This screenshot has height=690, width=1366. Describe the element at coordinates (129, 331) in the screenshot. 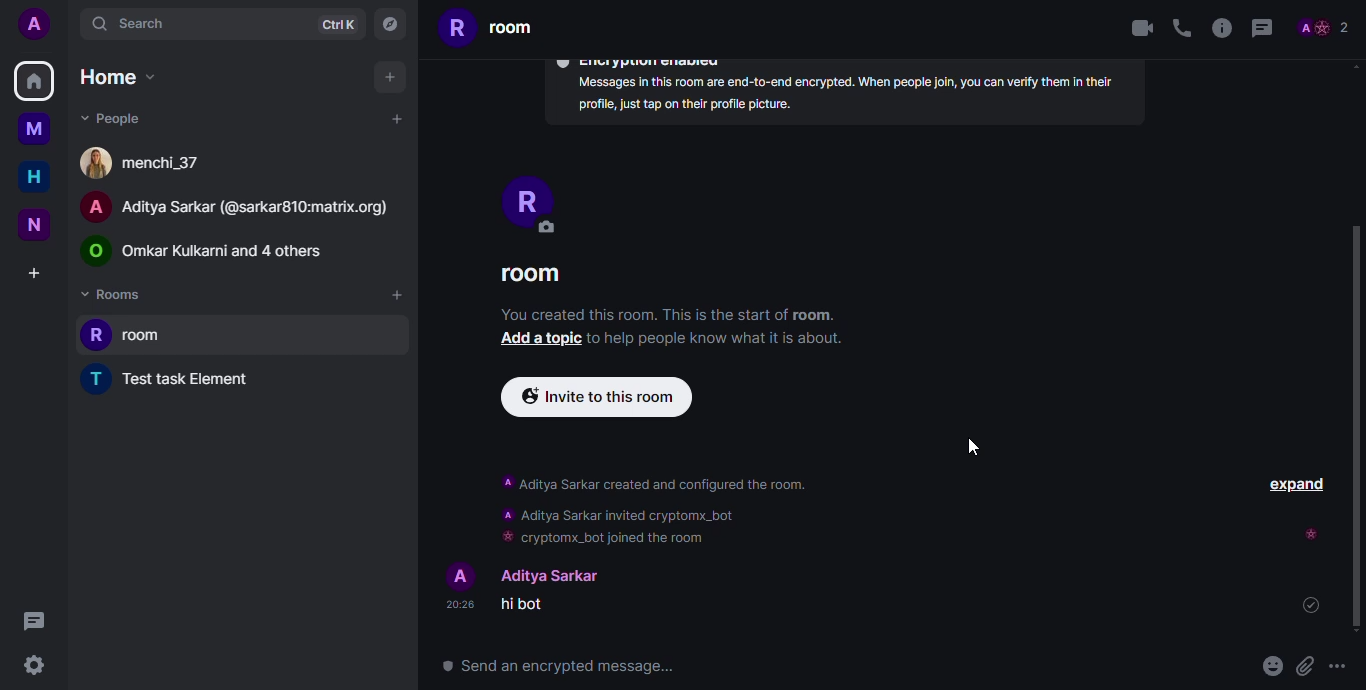

I see `room` at that location.